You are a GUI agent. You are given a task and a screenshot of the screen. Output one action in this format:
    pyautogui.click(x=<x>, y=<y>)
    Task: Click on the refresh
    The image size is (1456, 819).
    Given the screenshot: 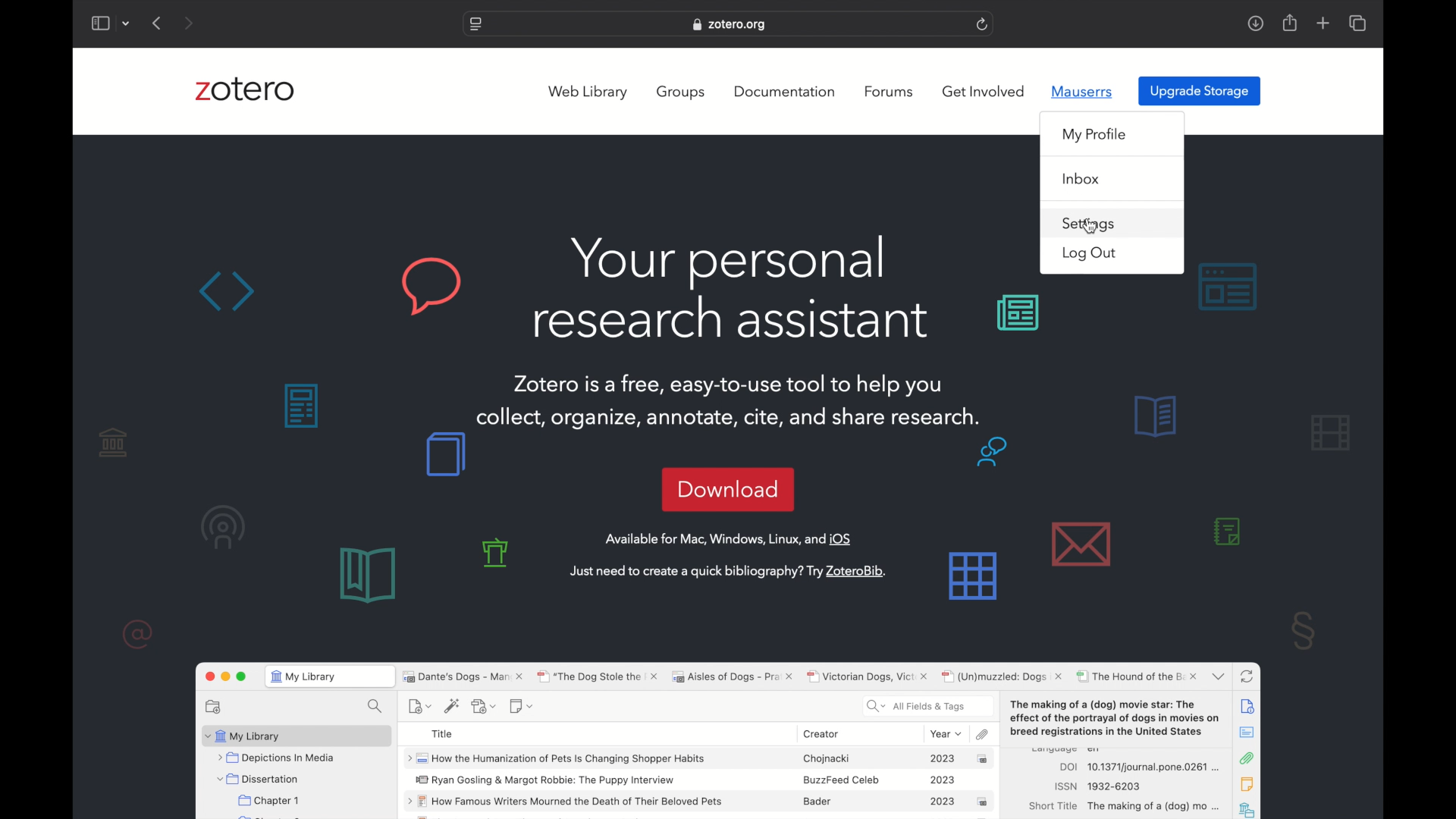 What is the action you would take?
    pyautogui.click(x=983, y=24)
    